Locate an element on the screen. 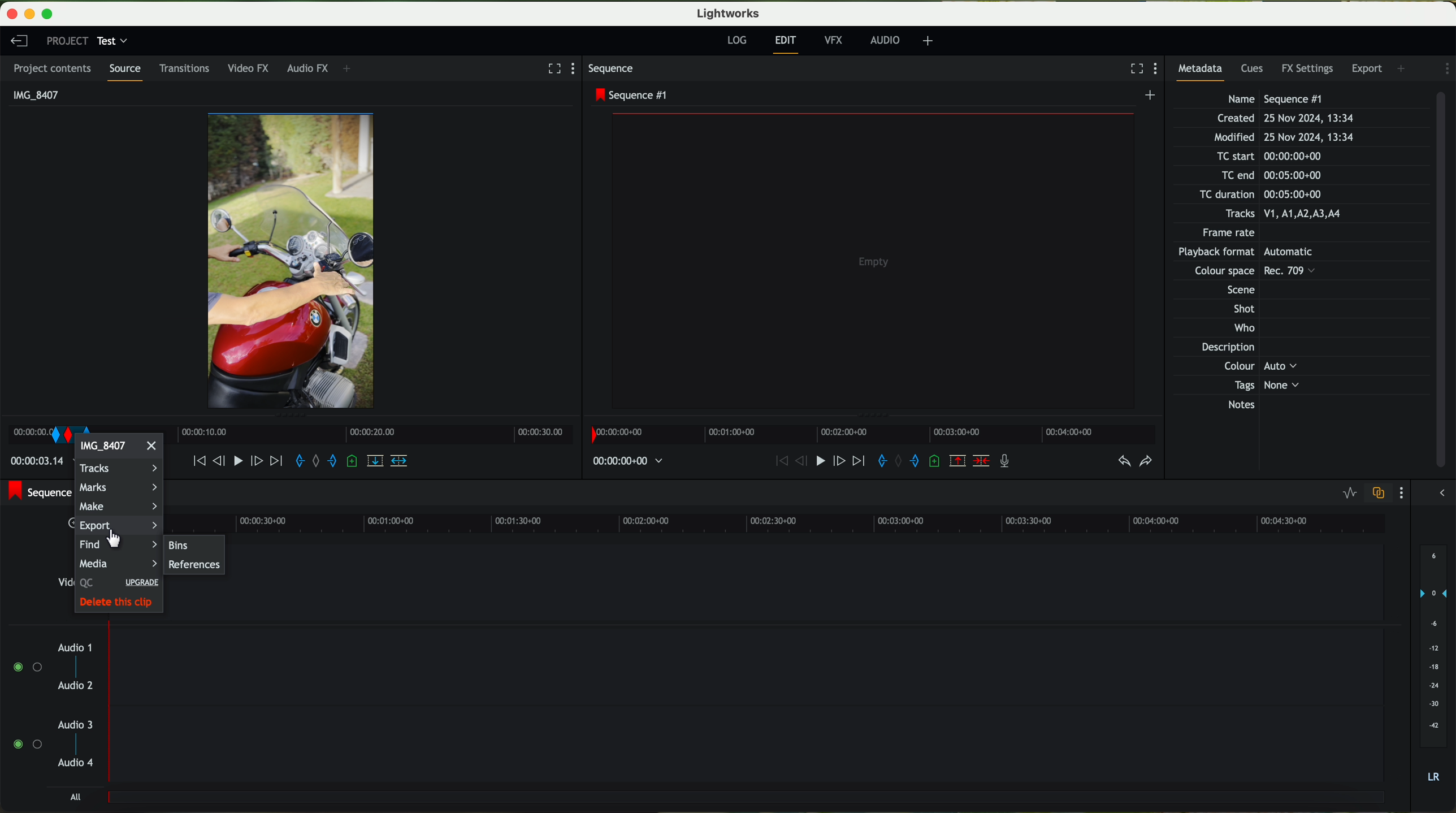  toggle audio track sync is located at coordinates (1380, 493).